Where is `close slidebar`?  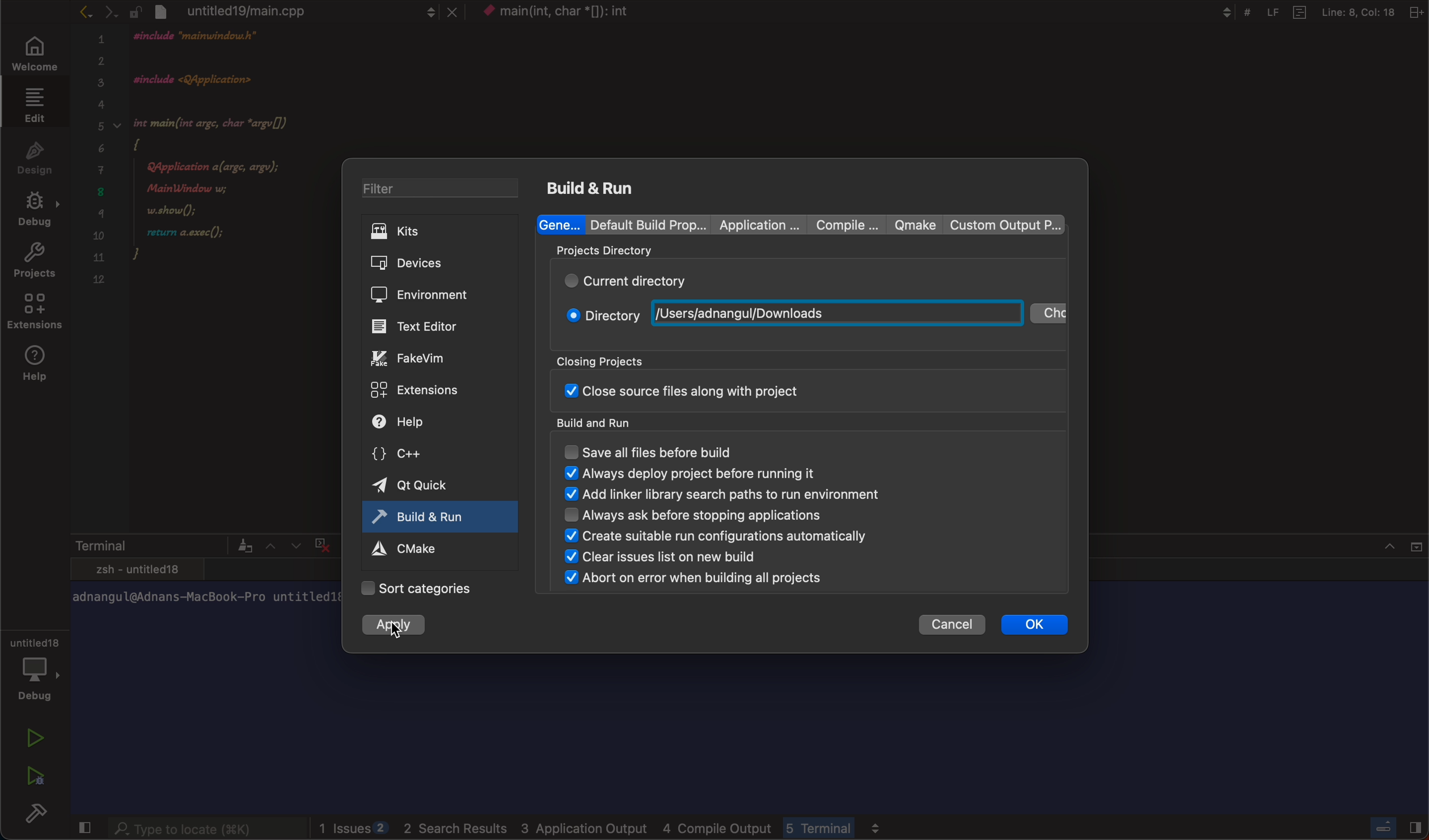 close slidebar is located at coordinates (1392, 826).